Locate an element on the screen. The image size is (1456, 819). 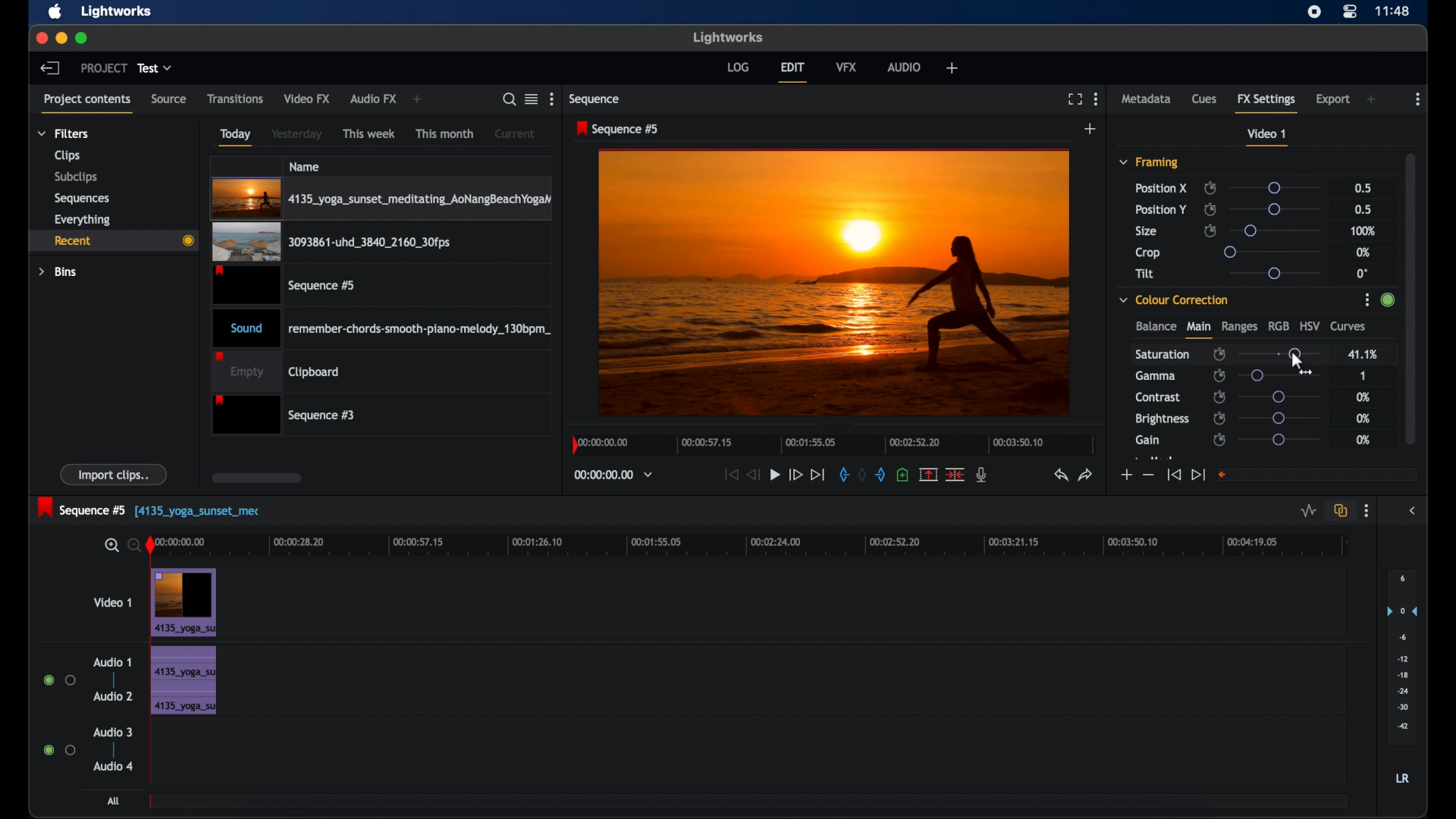
fast forward is located at coordinates (795, 475).